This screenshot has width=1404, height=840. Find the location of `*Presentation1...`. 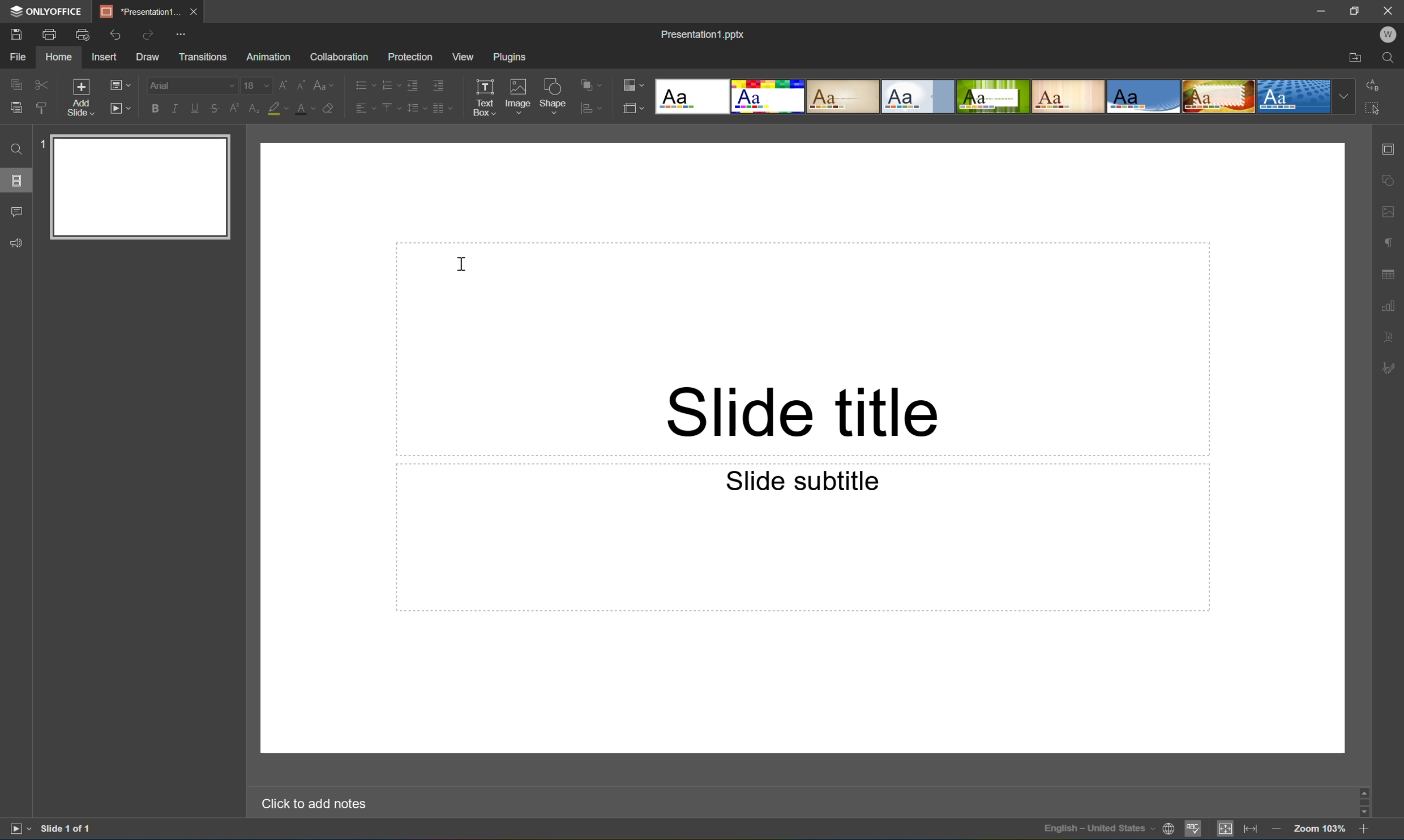

*Presentation1... is located at coordinates (142, 12).